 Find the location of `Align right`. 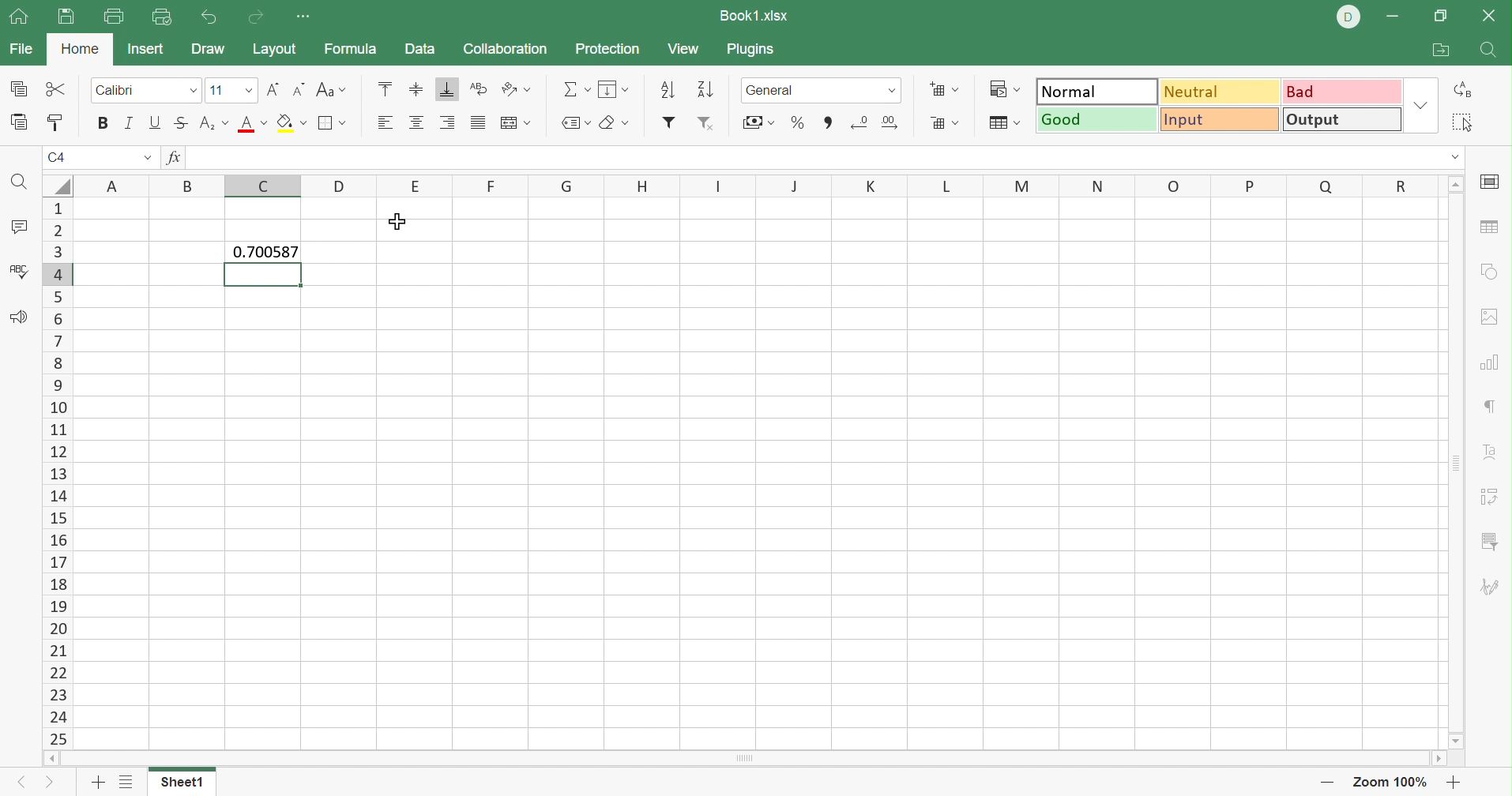

Align right is located at coordinates (446, 122).